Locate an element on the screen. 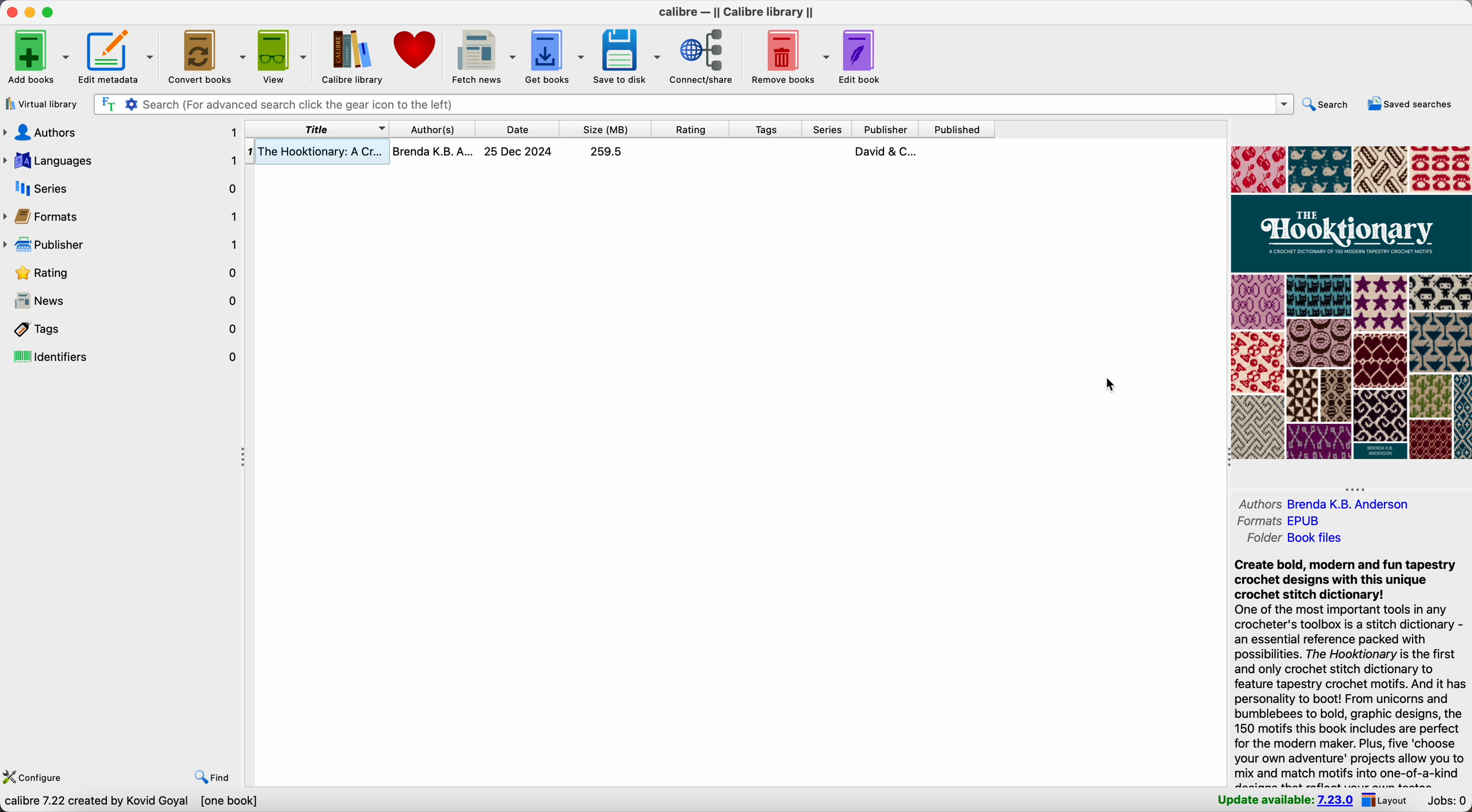  identifiers is located at coordinates (122, 357).